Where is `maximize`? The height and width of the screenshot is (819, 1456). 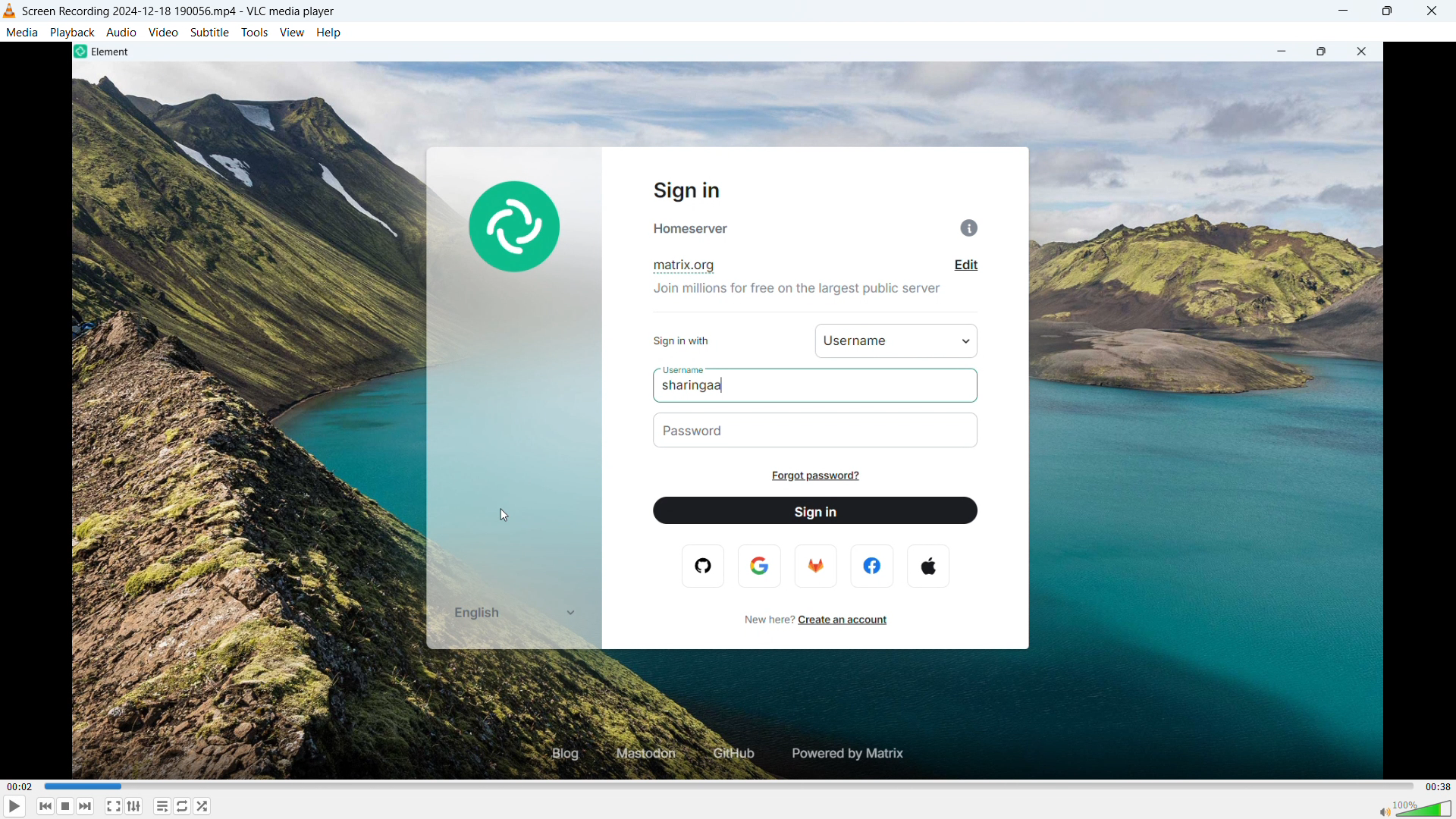
maximize is located at coordinates (1386, 11).